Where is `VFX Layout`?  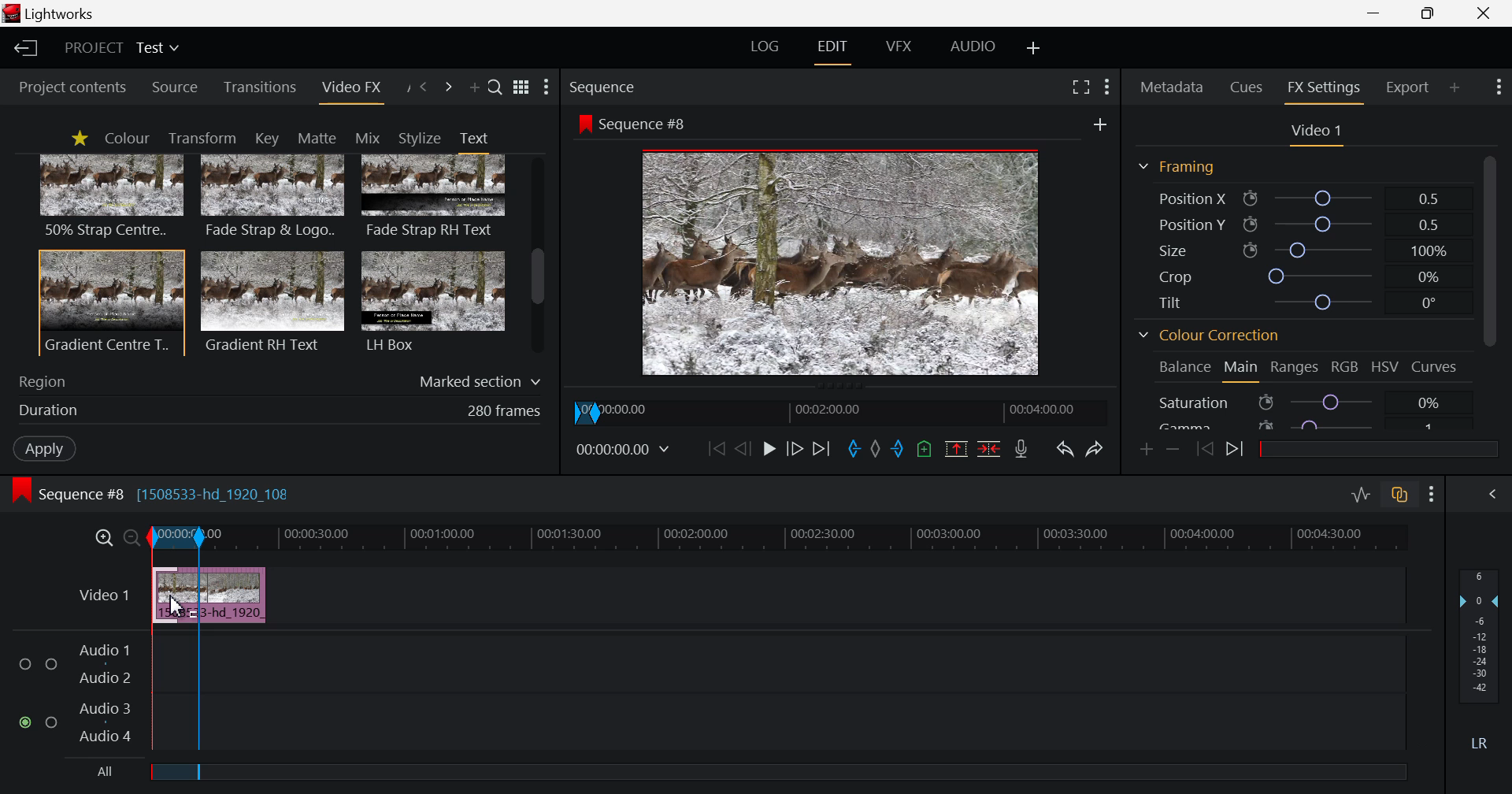
VFX Layout is located at coordinates (902, 46).